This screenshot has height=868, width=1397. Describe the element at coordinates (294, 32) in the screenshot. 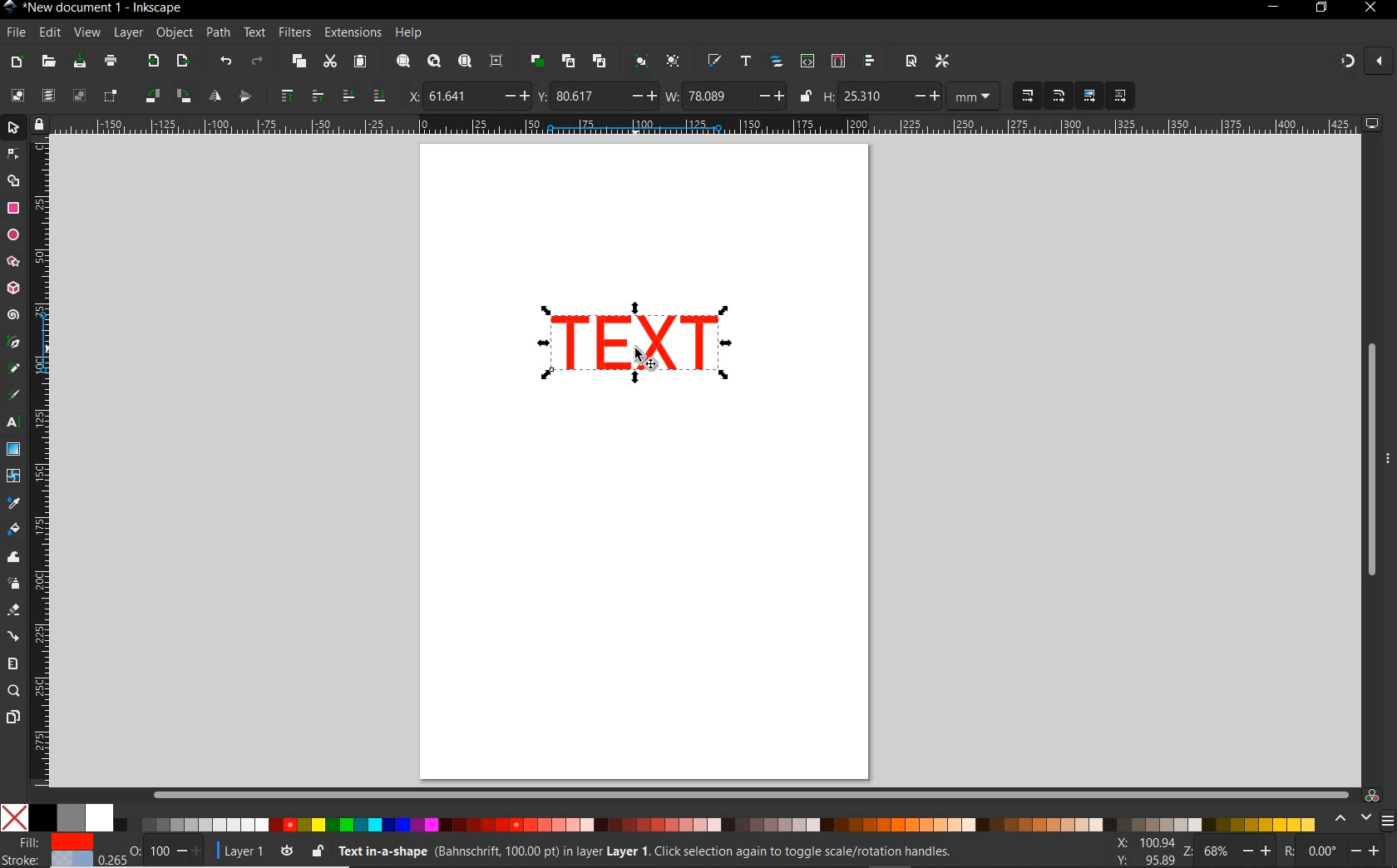

I see `filters` at that location.